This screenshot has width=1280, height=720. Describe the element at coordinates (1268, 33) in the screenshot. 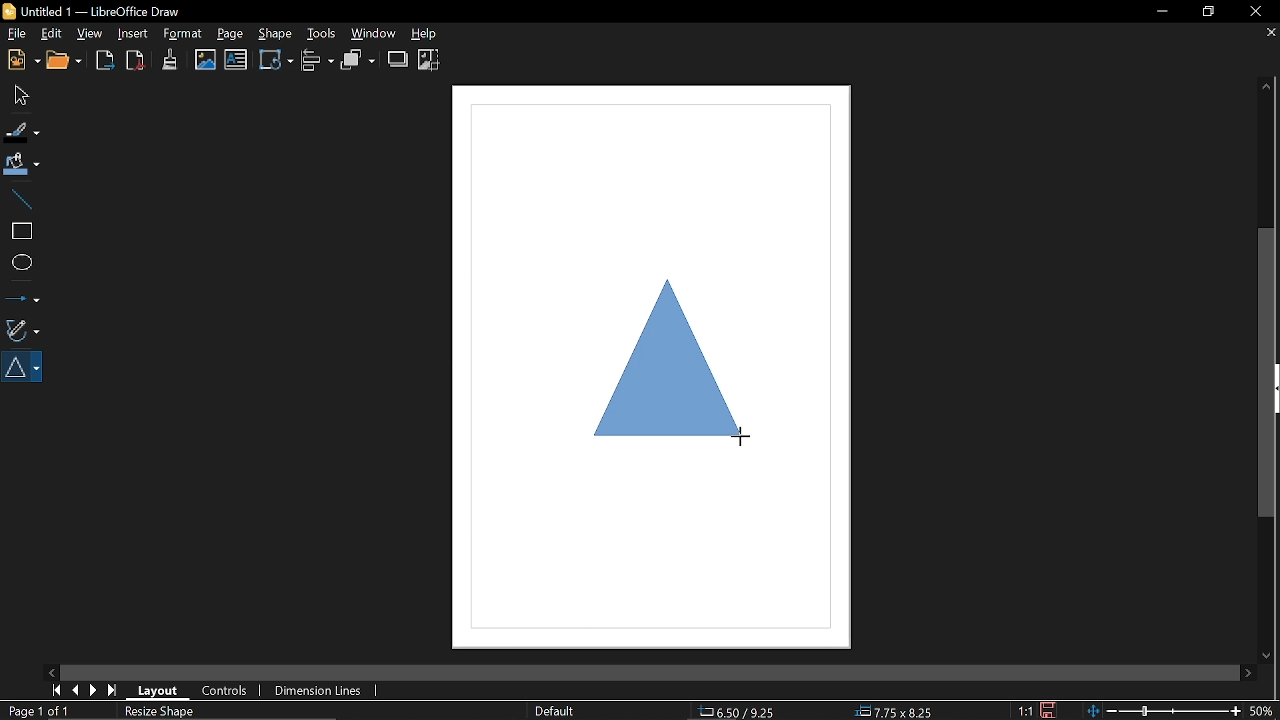

I see `Close page` at that location.